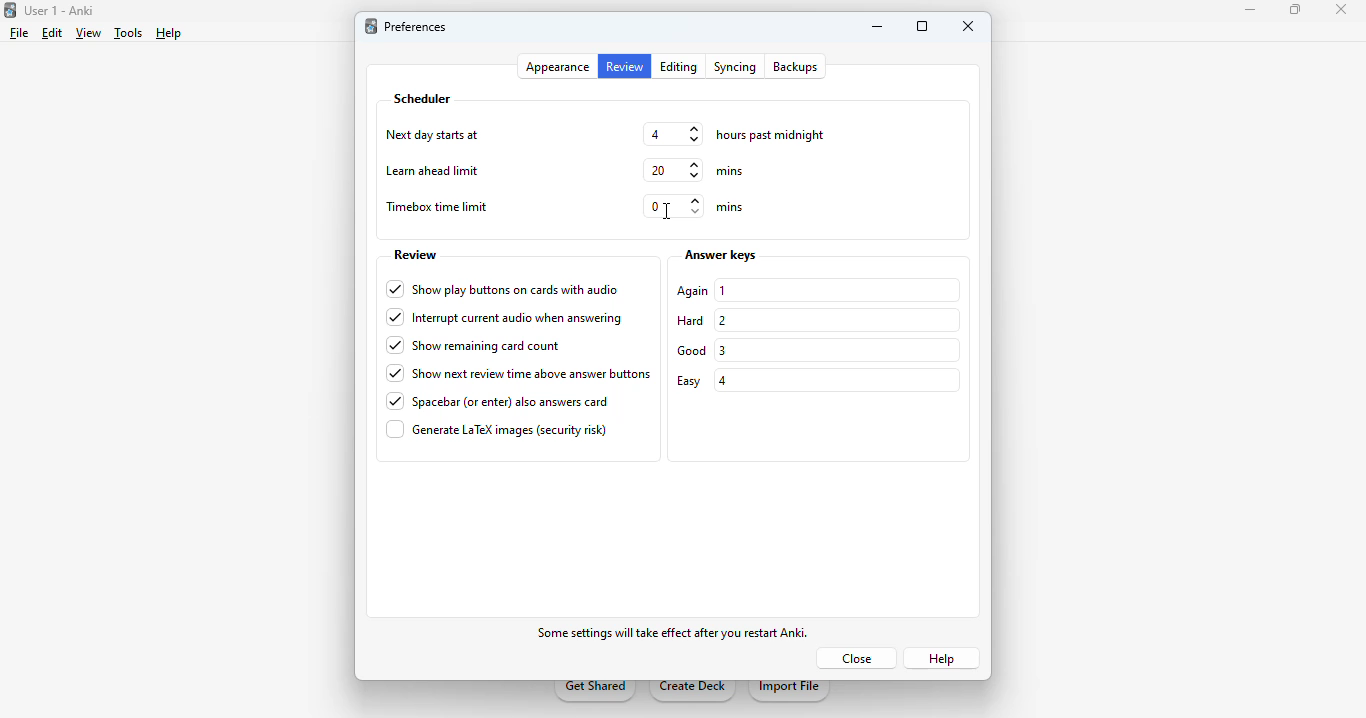 Image resolution: width=1366 pixels, height=718 pixels. I want to click on import file, so click(788, 691).